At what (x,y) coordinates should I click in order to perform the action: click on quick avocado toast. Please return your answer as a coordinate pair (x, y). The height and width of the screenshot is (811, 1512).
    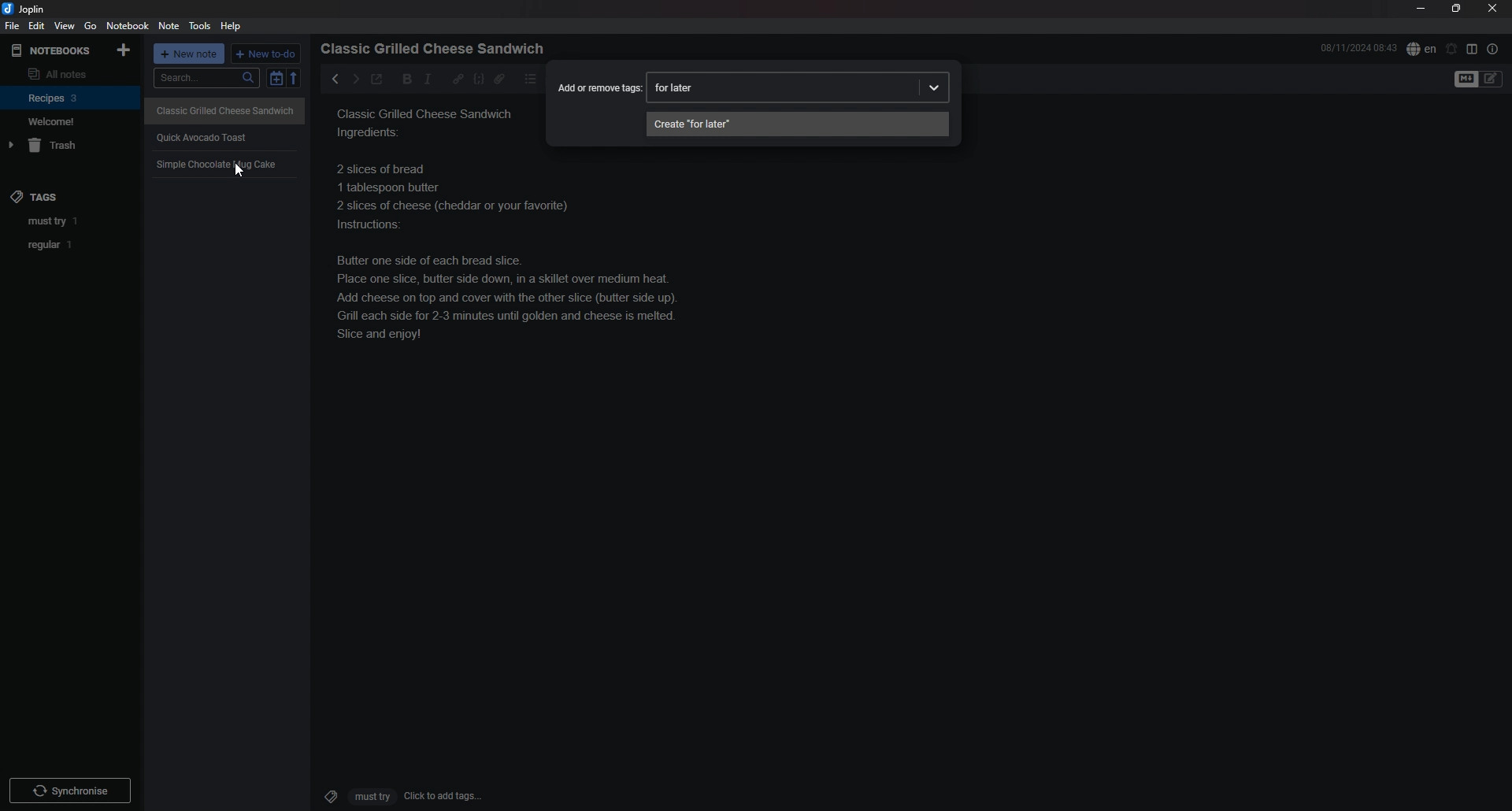
    Looking at the image, I should click on (210, 134).